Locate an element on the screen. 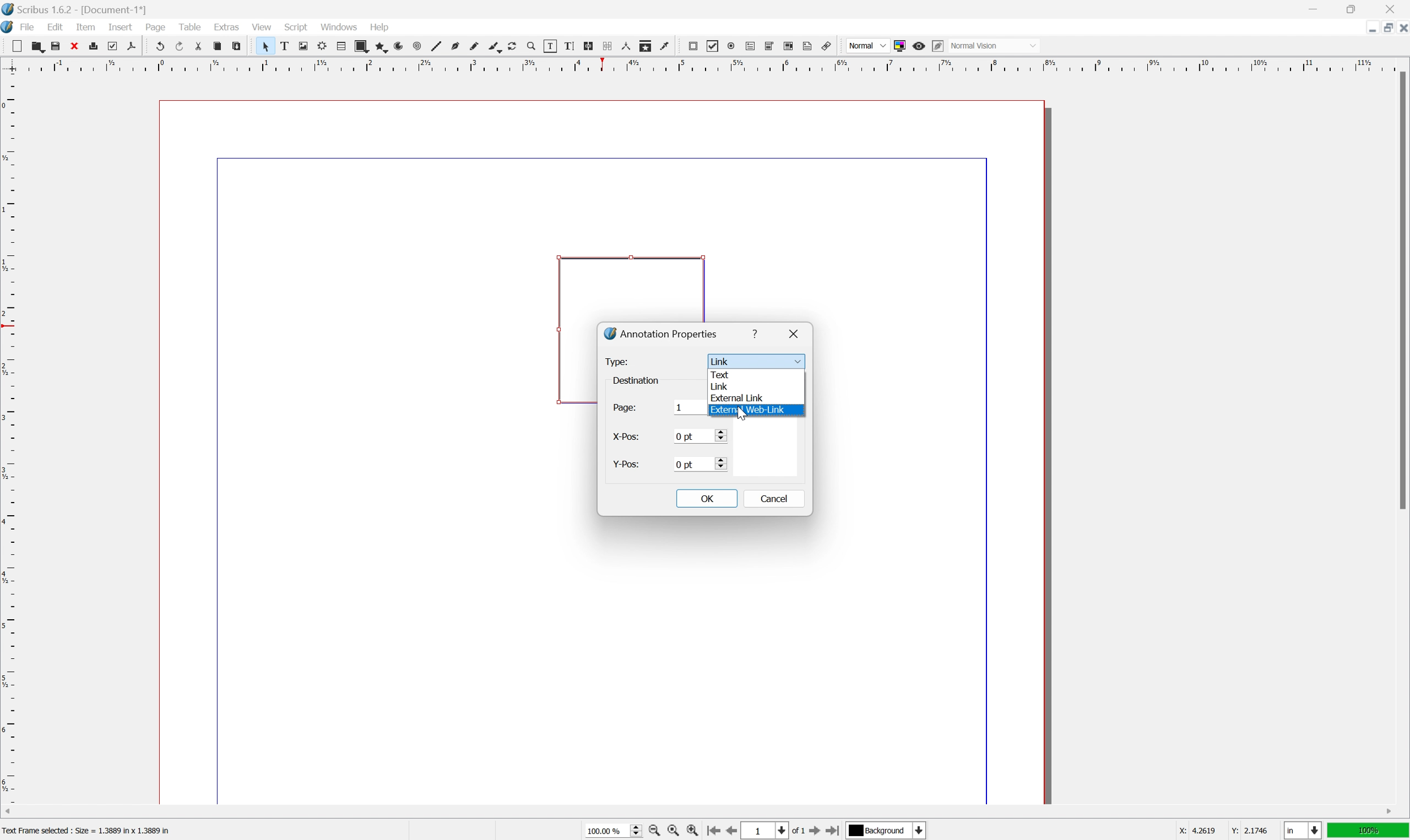 The height and width of the screenshot is (840, 1410). link text frames is located at coordinates (589, 46).